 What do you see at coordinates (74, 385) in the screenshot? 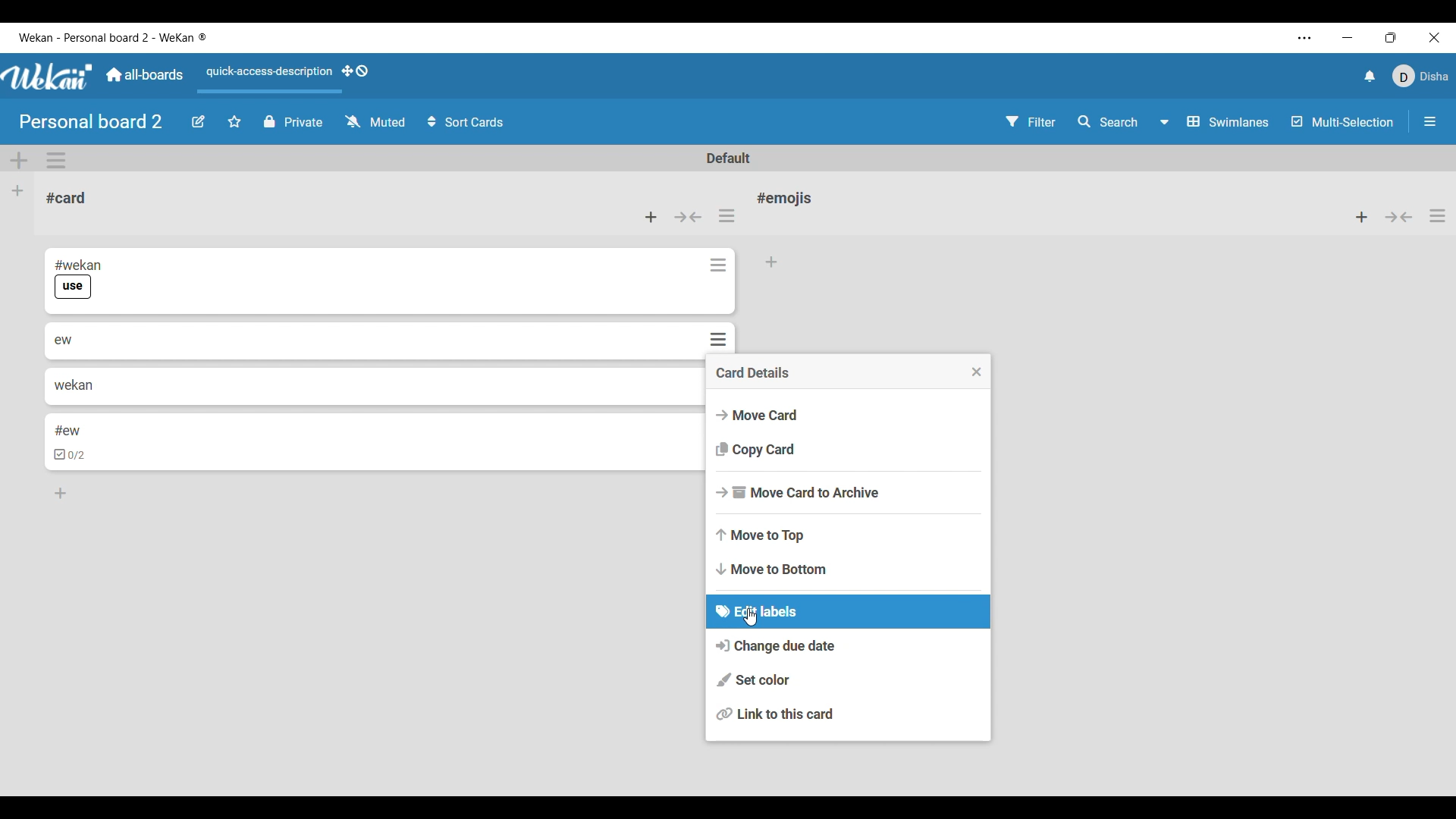
I see `wekan` at bounding box center [74, 385].